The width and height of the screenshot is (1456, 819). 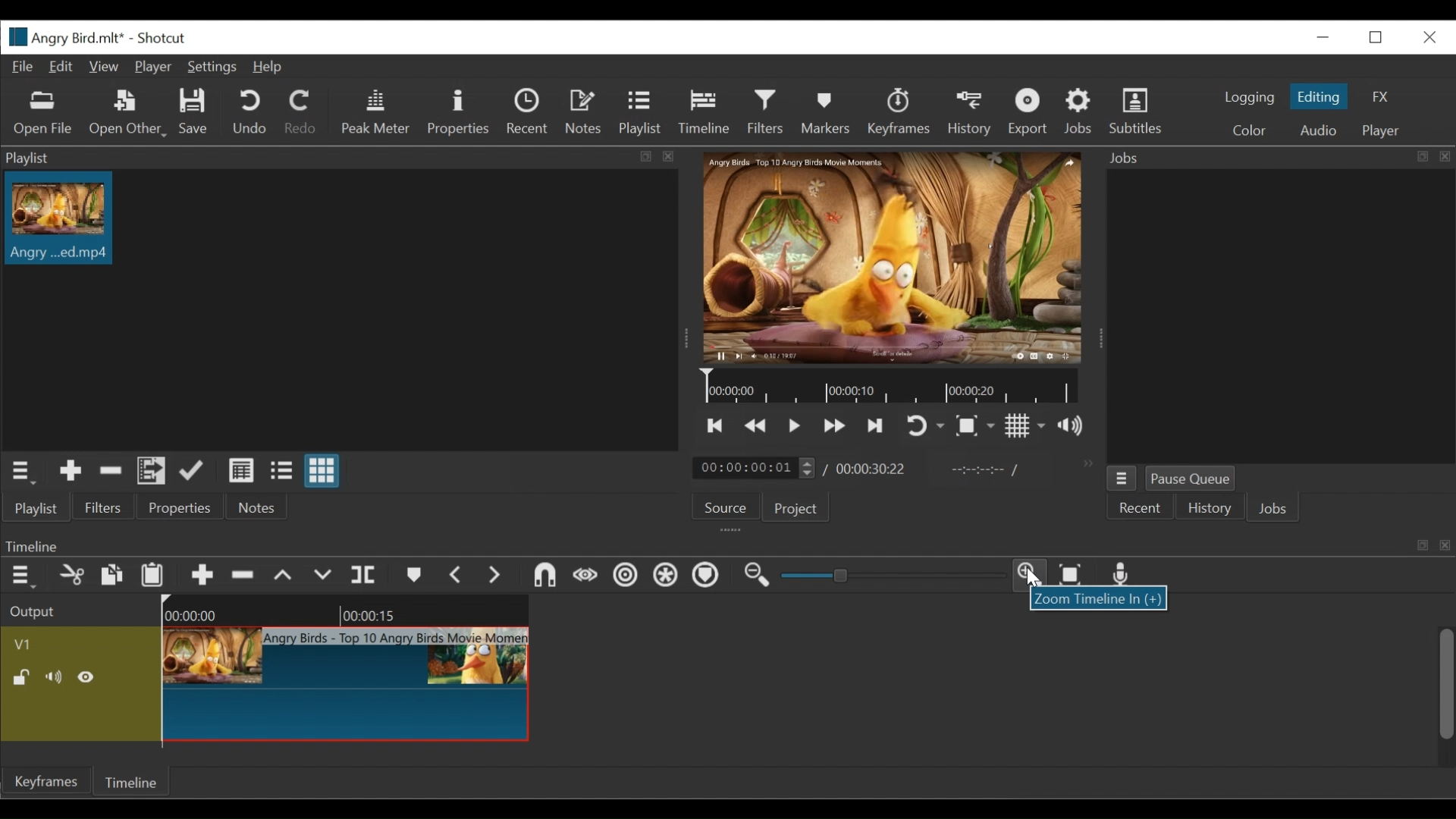 What do you see at coordinates (284, 472) in the screenshot?
I see `View as files` at bounding box center [284, 472].